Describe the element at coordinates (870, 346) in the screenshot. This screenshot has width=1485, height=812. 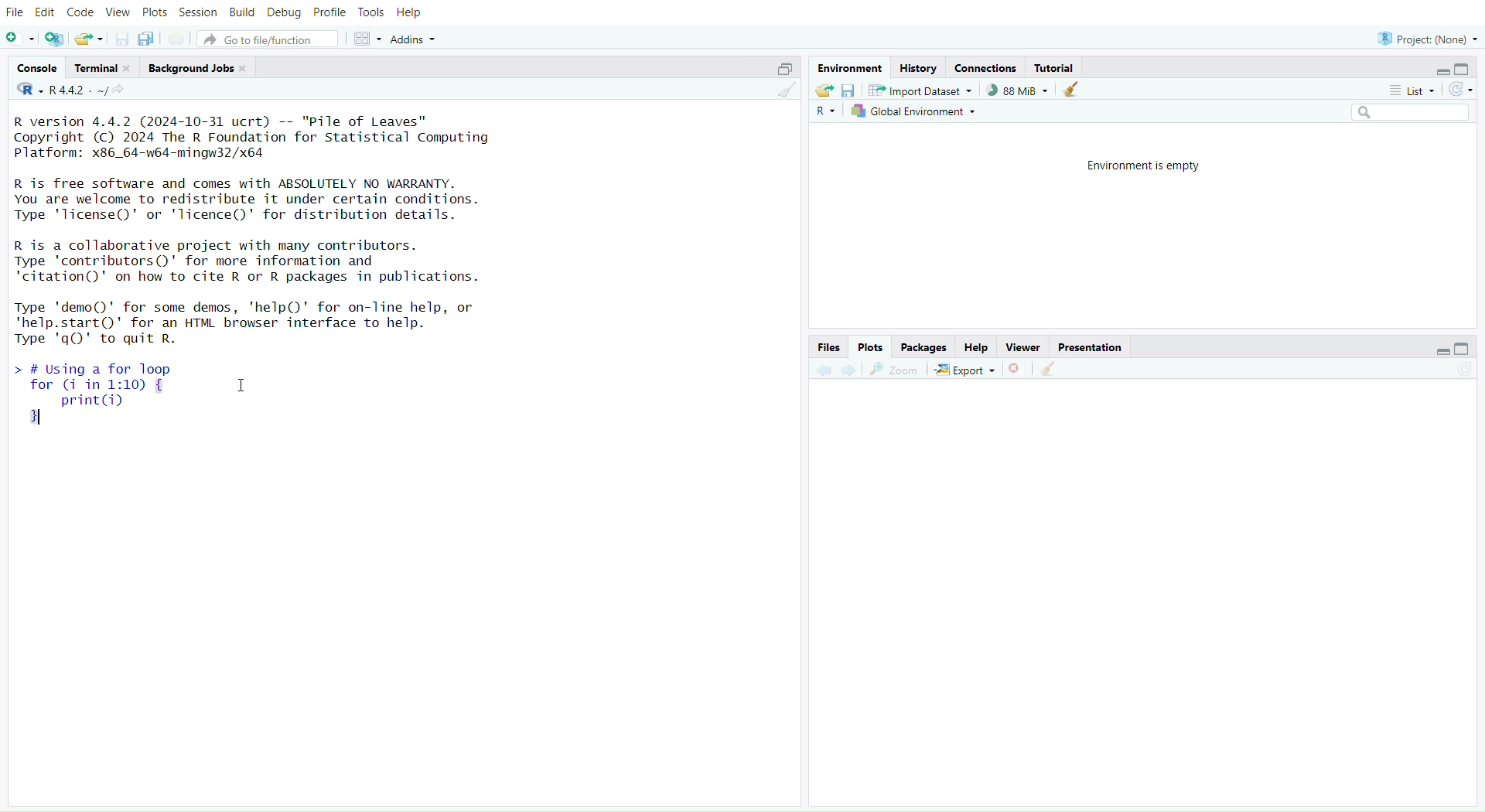
I see `plots` at that location.